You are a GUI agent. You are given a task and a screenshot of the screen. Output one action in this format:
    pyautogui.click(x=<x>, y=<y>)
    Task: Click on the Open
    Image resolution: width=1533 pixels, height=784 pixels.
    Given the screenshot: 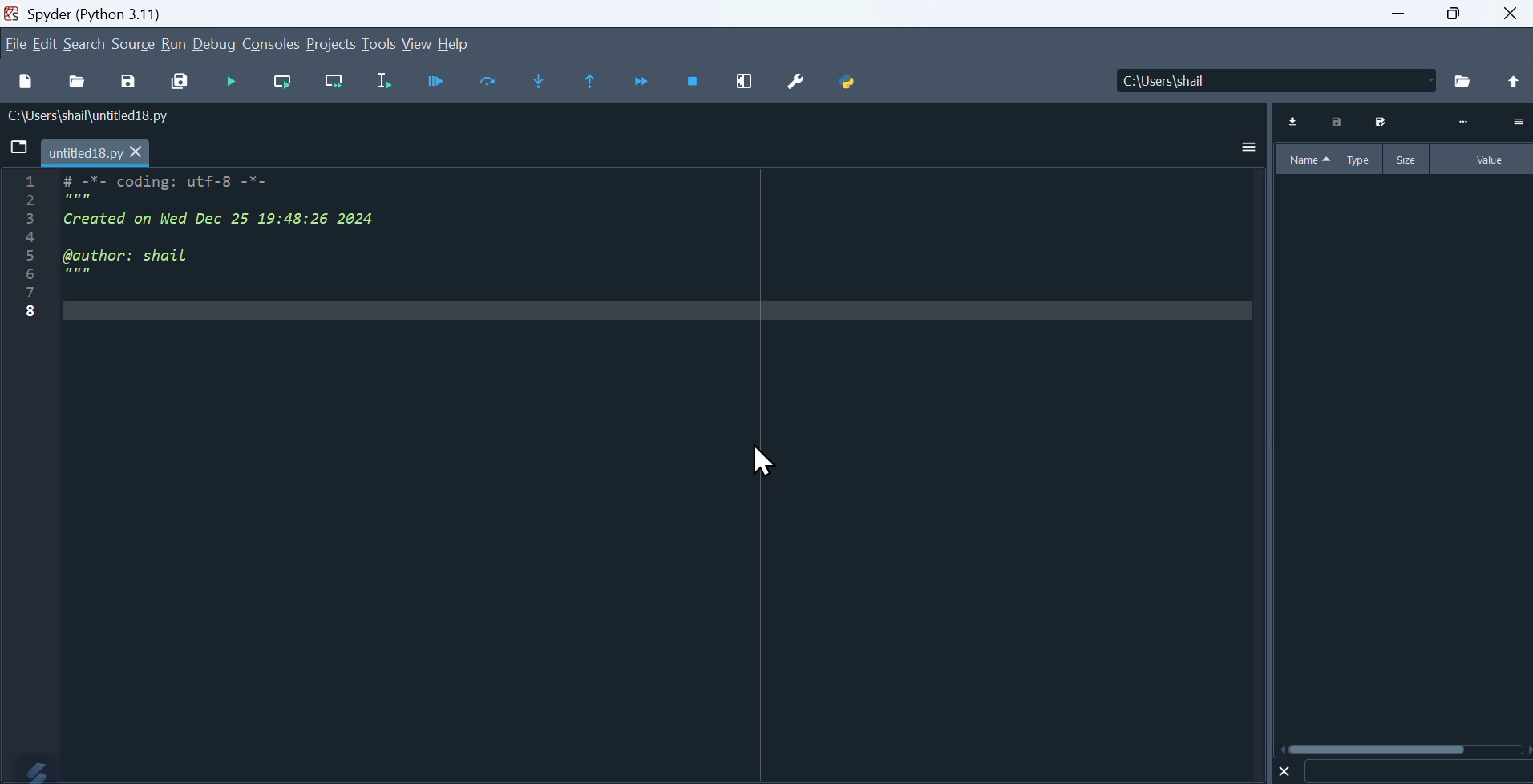 What is the action you would take?
    pyautogui.click(x=79, y=83)
    